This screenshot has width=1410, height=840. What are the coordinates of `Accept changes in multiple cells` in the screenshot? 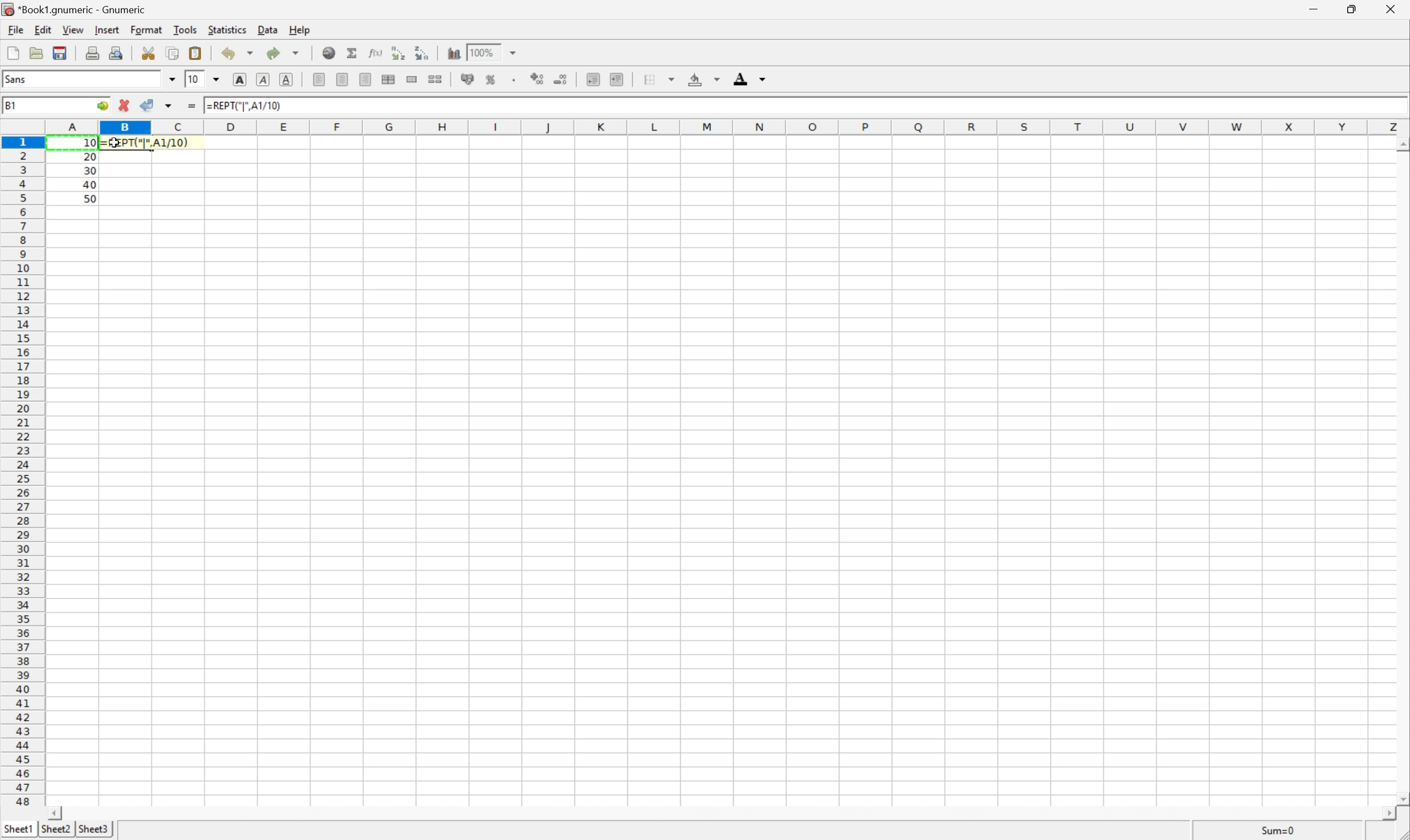 It's located at (170, 106).